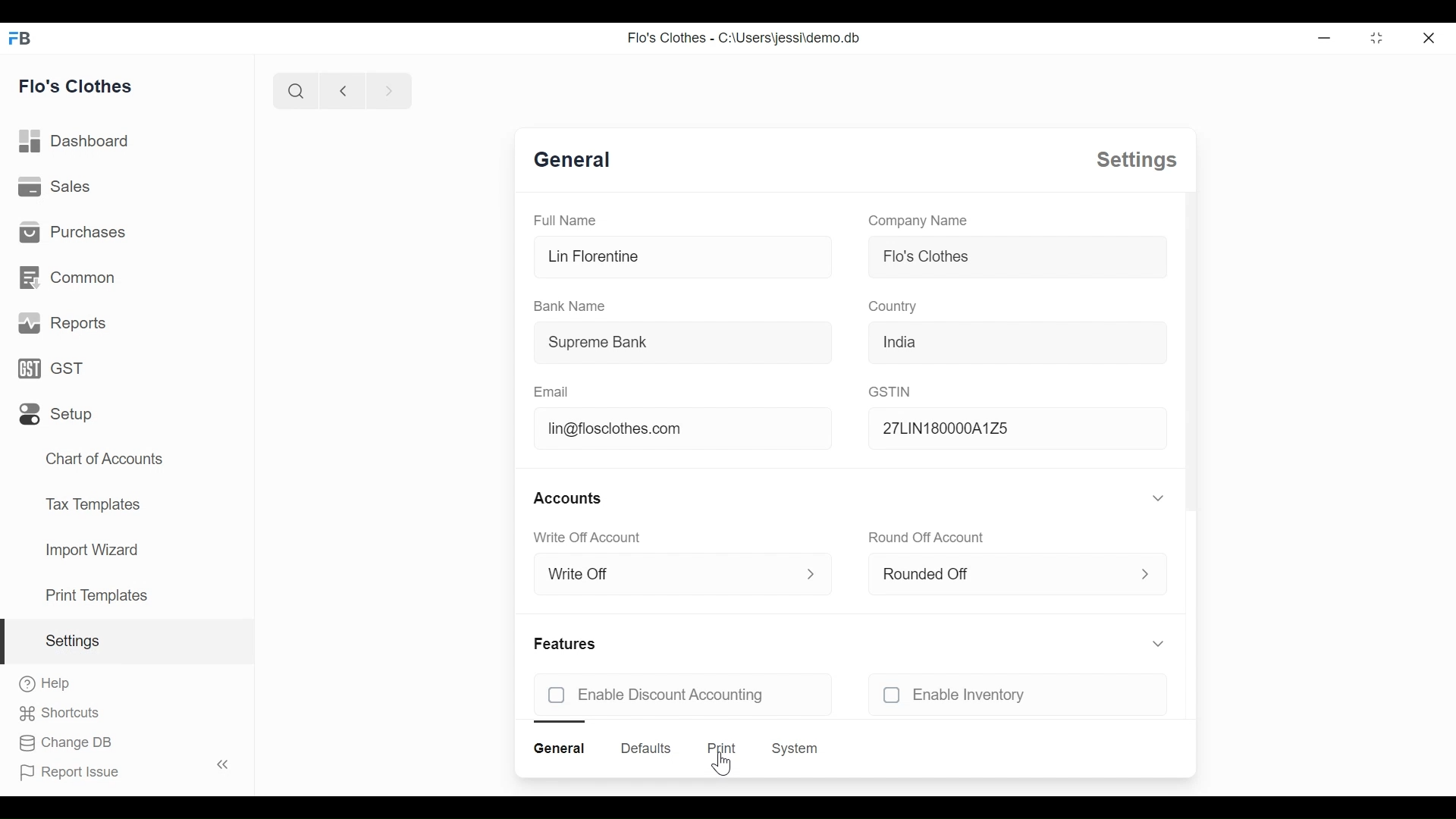  Describe the element at coordinates (1159, 497) in the screenshot. I see `toggle expand/collapse` at that location.